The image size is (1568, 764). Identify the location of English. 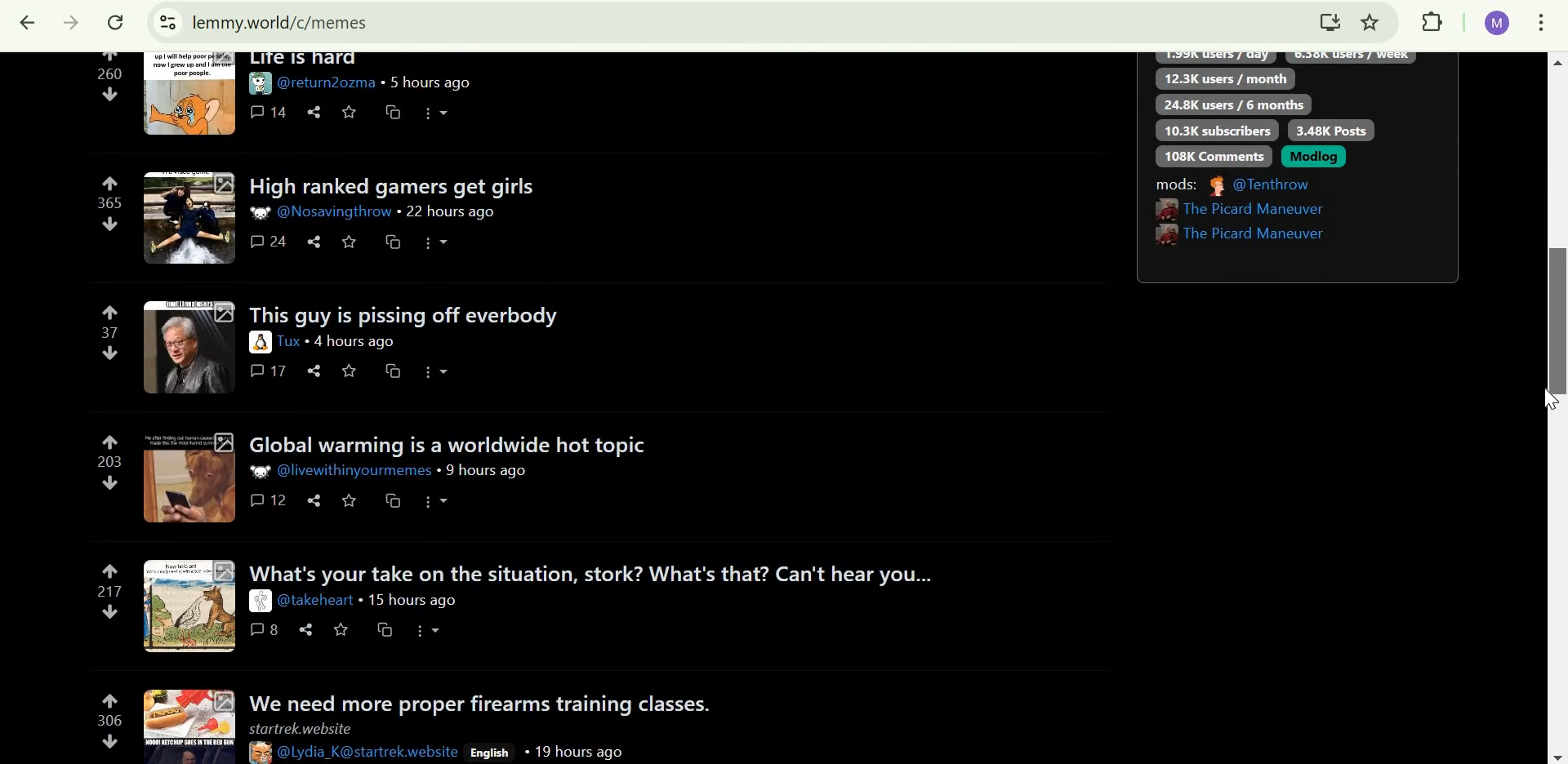
(488, 753).